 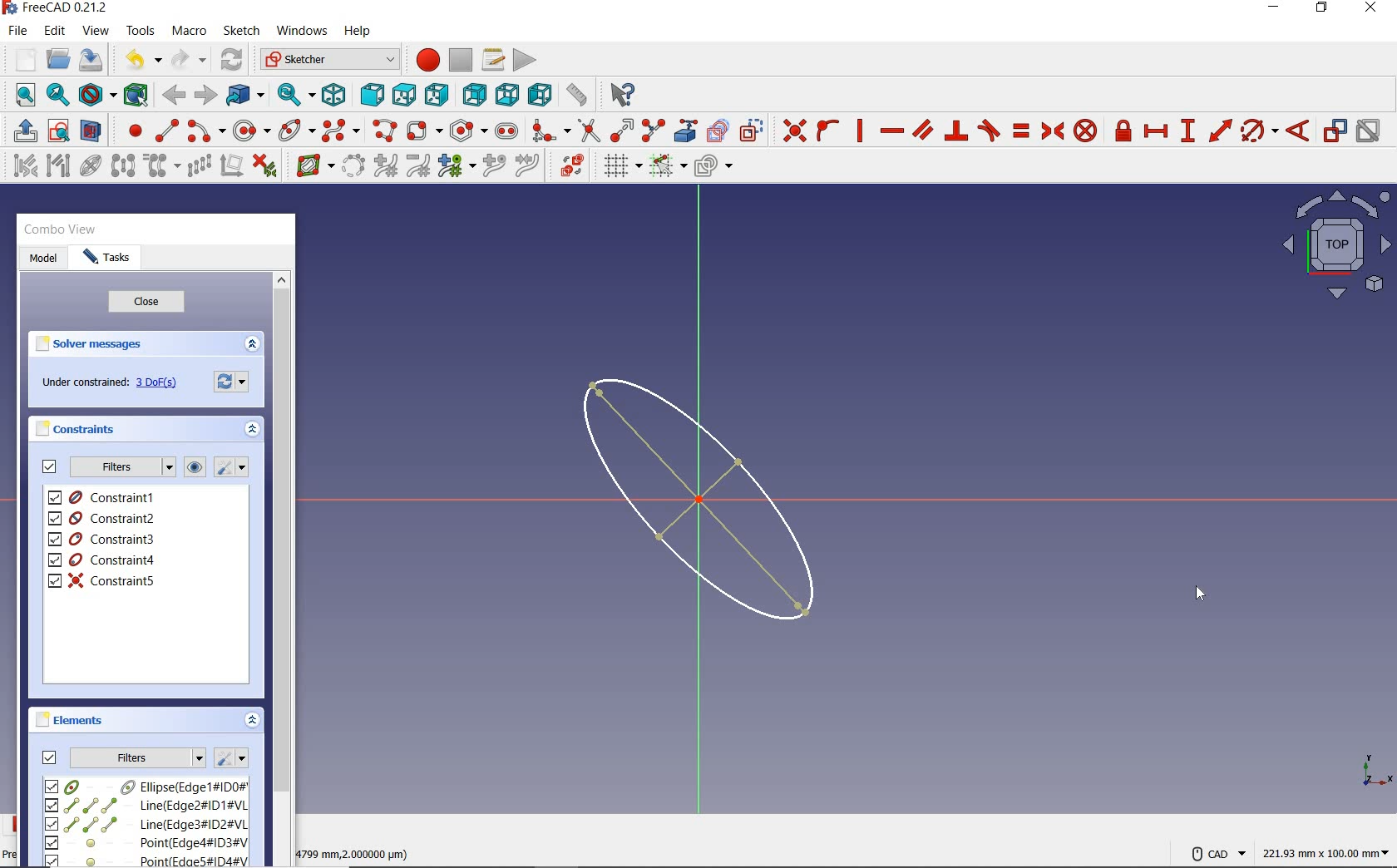 What do you see at coordinates (251, 345) in the screenshot?
I see `collapse` at bounding box center [251, 345].